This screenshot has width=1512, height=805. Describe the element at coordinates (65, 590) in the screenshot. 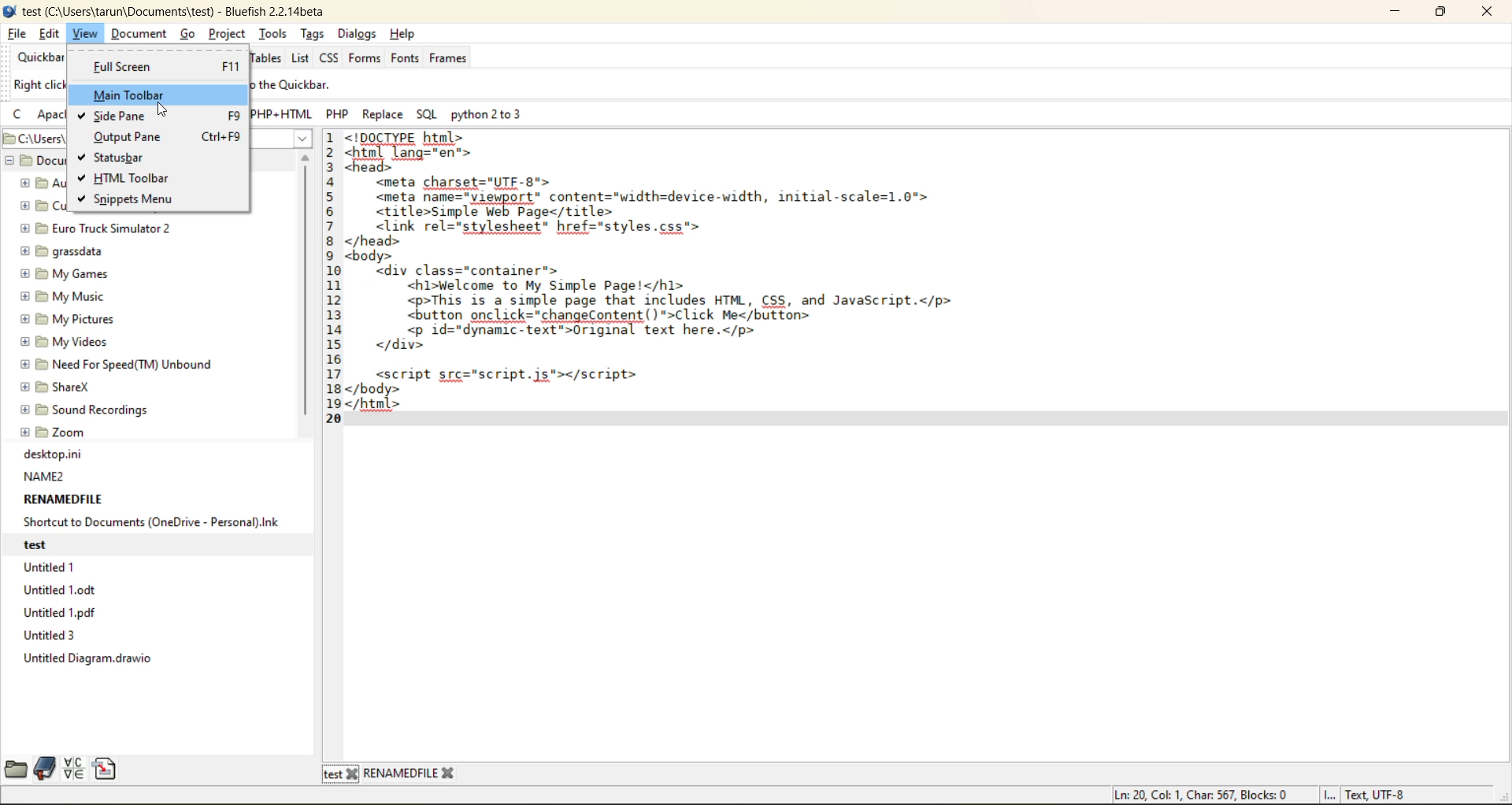

I see `Untitled 1.0dt` at that location.